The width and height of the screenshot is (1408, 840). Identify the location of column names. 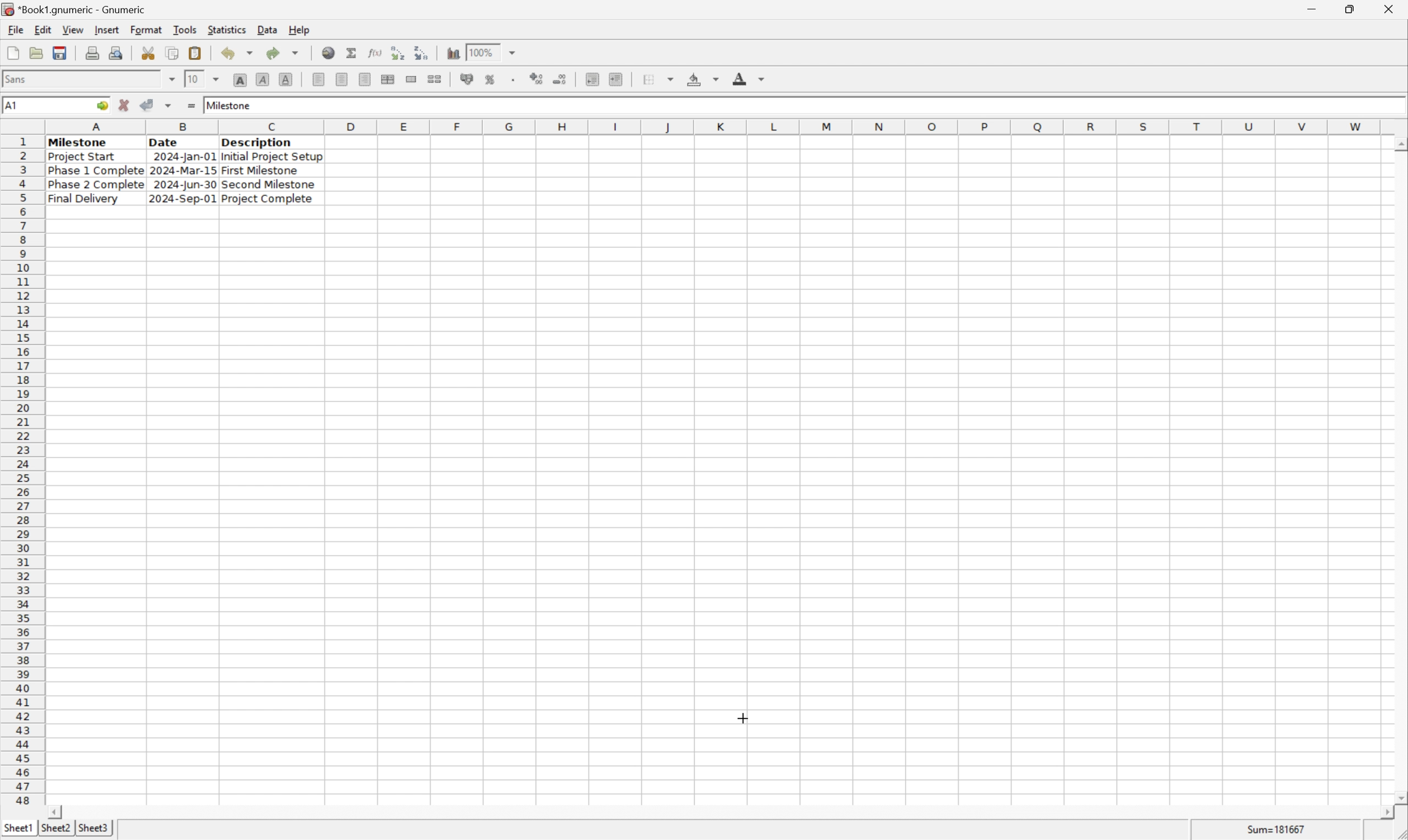
(716, 126).